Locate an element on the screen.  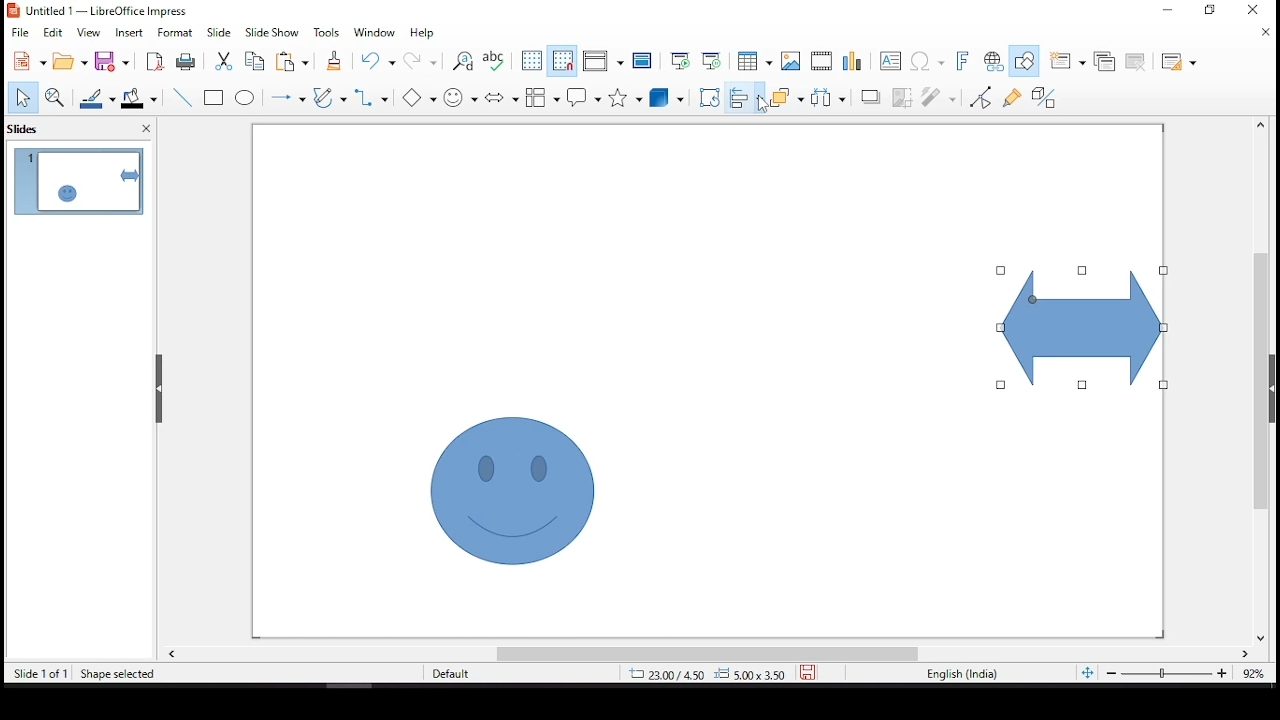
show gluepoint functions is located at coordinates (1011, 96).